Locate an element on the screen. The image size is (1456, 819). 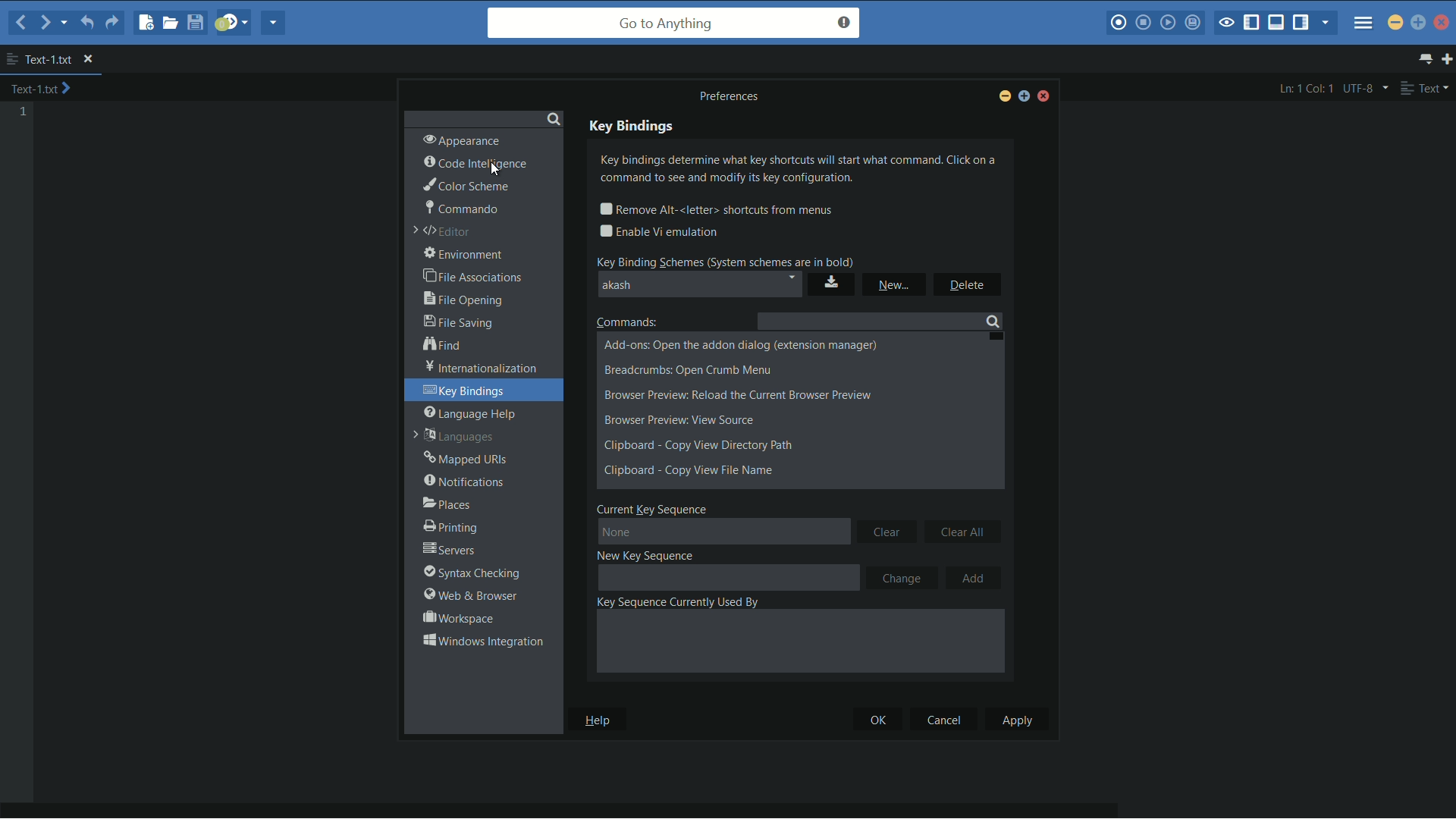
notifications is located at coordinates (463, 482).